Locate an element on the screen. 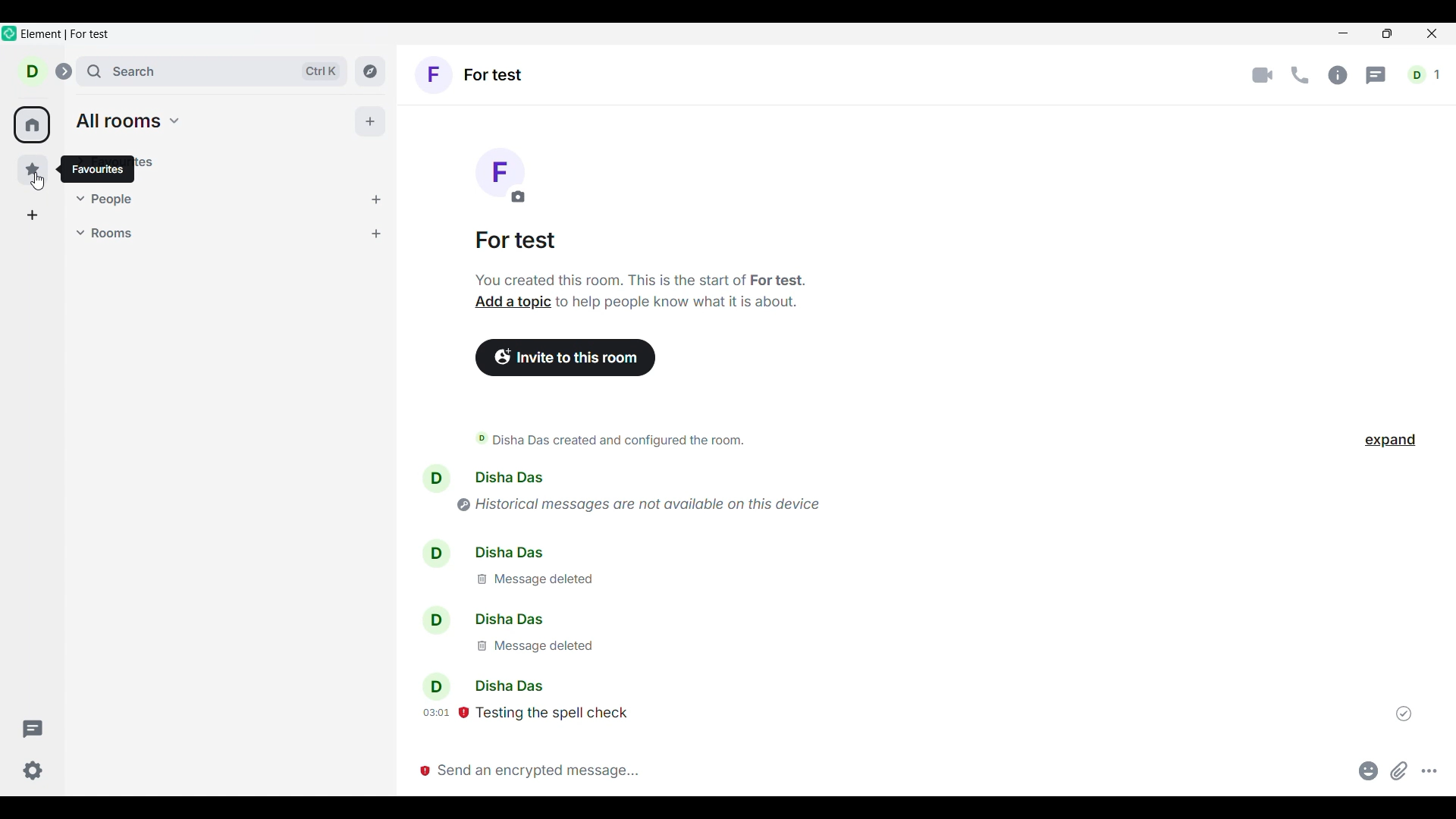  Expand is located at coordinates (64, 71).